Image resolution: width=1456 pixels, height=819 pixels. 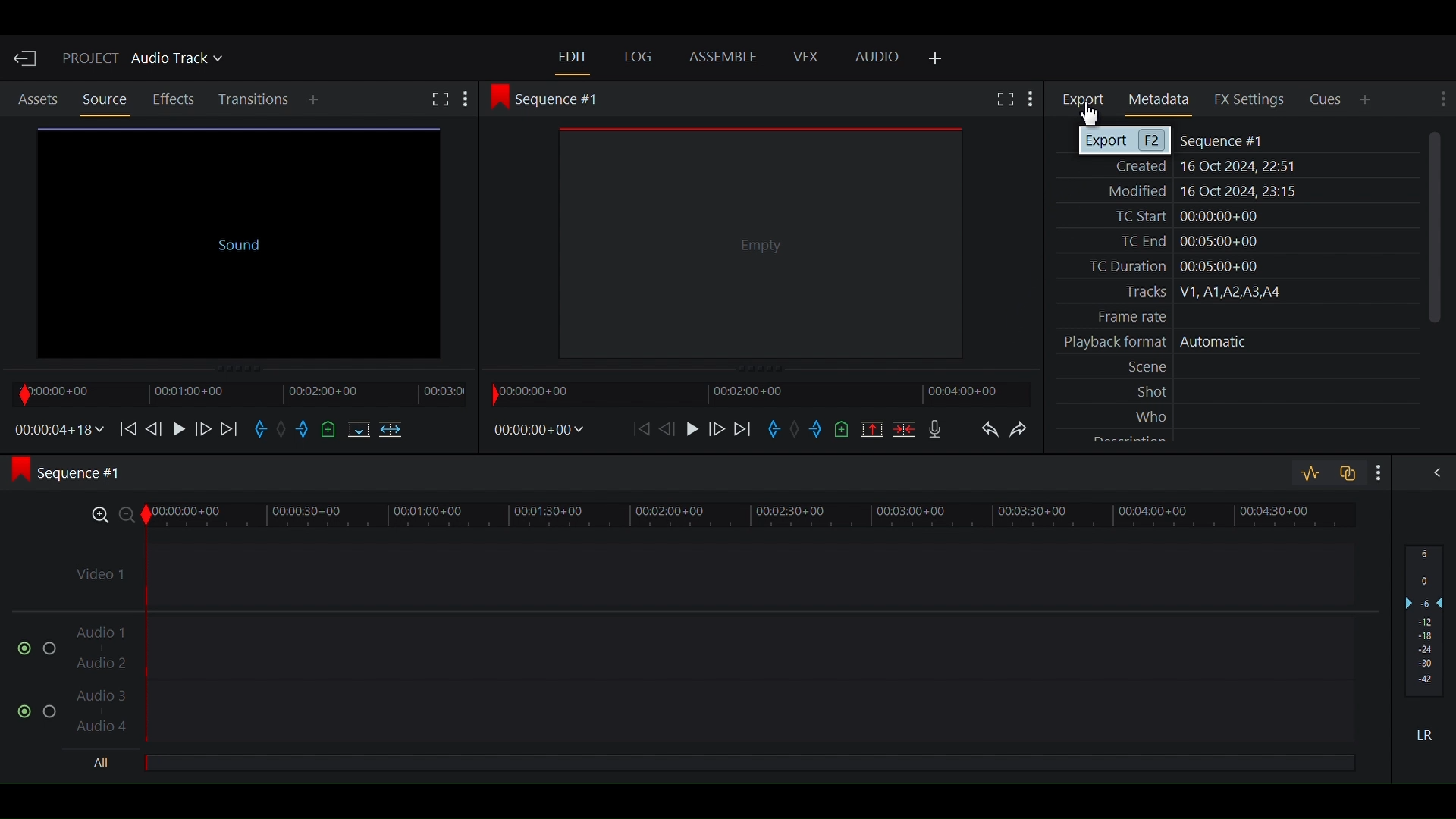 I want to click on Show/Hide the Full audio mix, so click(x=1432, y=475).